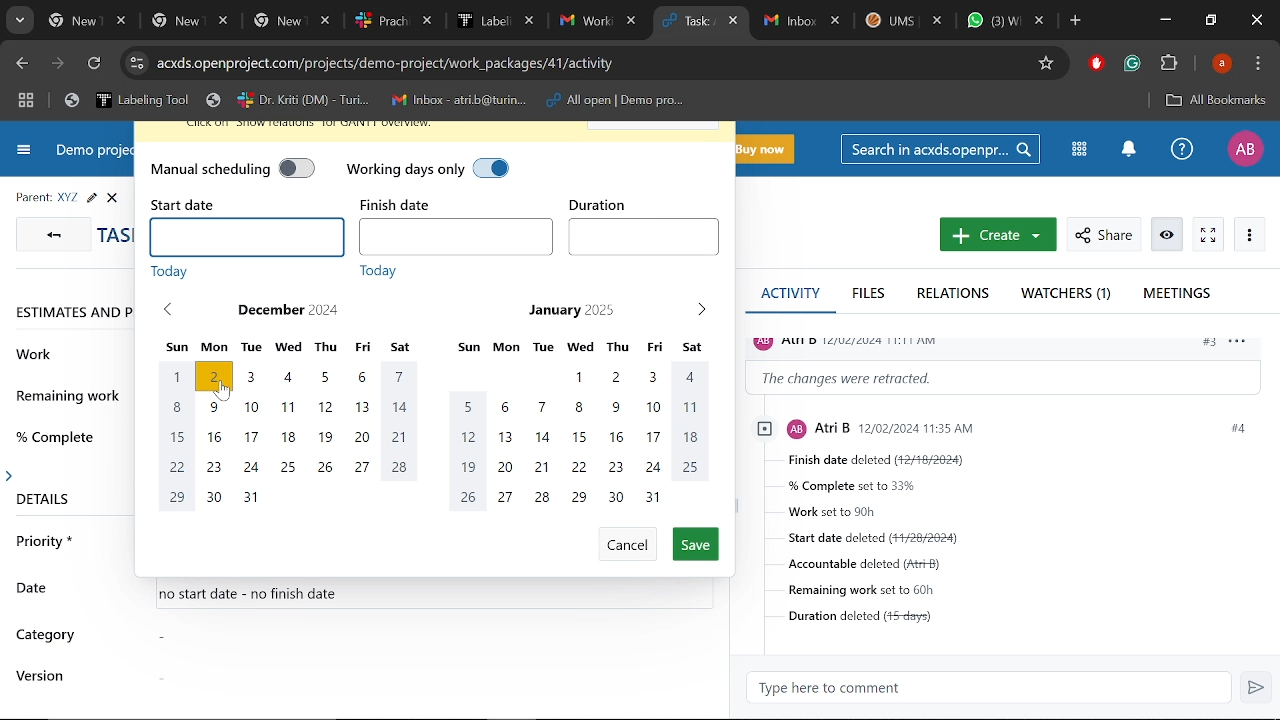  Describe the element at coordinates (28, 100) in the screenshot. I see `Tab groups` at that location.